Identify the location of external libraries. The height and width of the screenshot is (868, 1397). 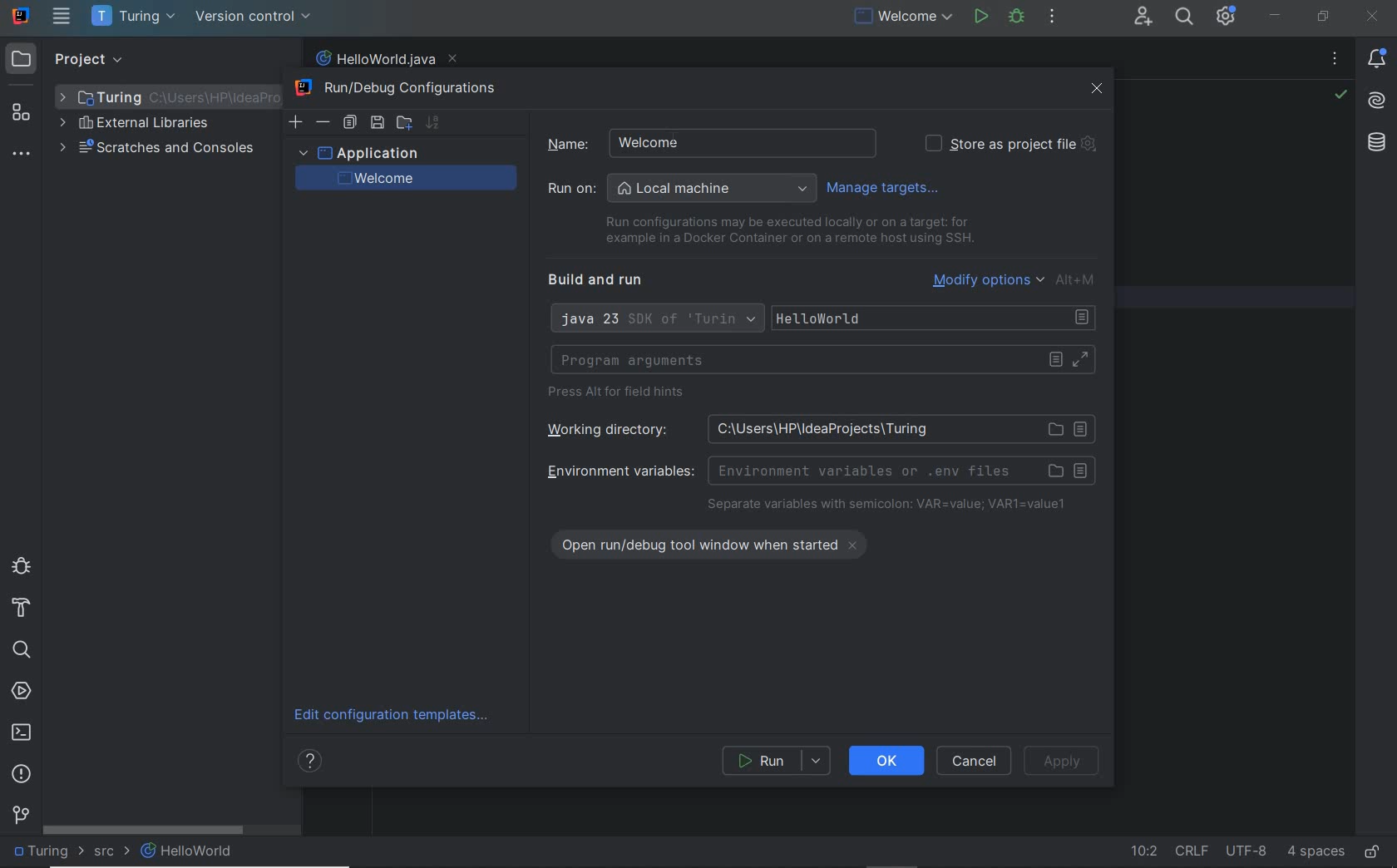
(134, 125).